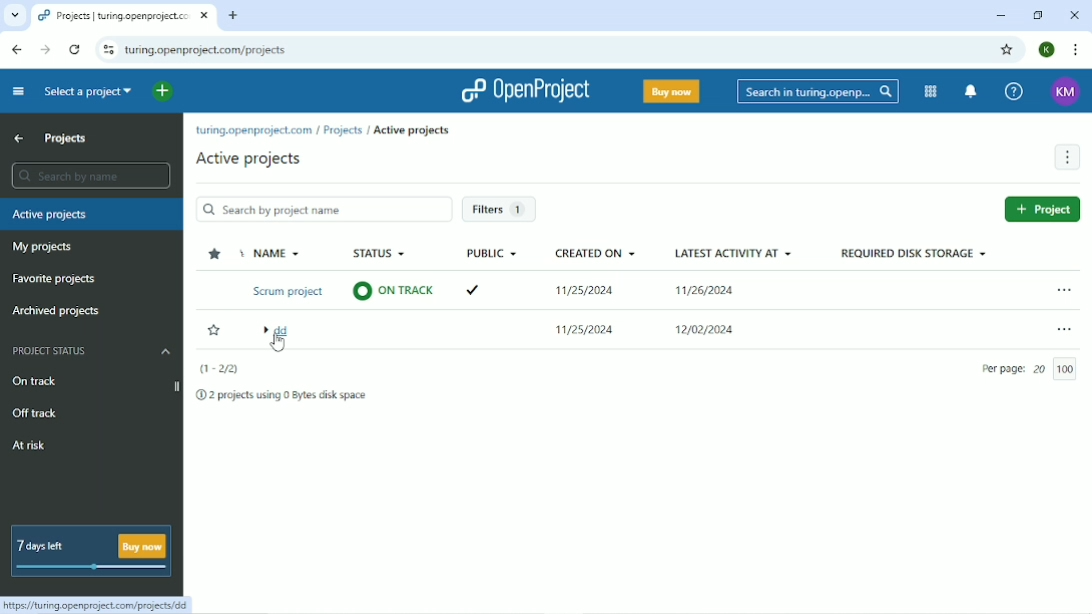  What do you see at coordinates (29, 448) in the screenshot?
I see `At risk` at bounding box center [29, 448].